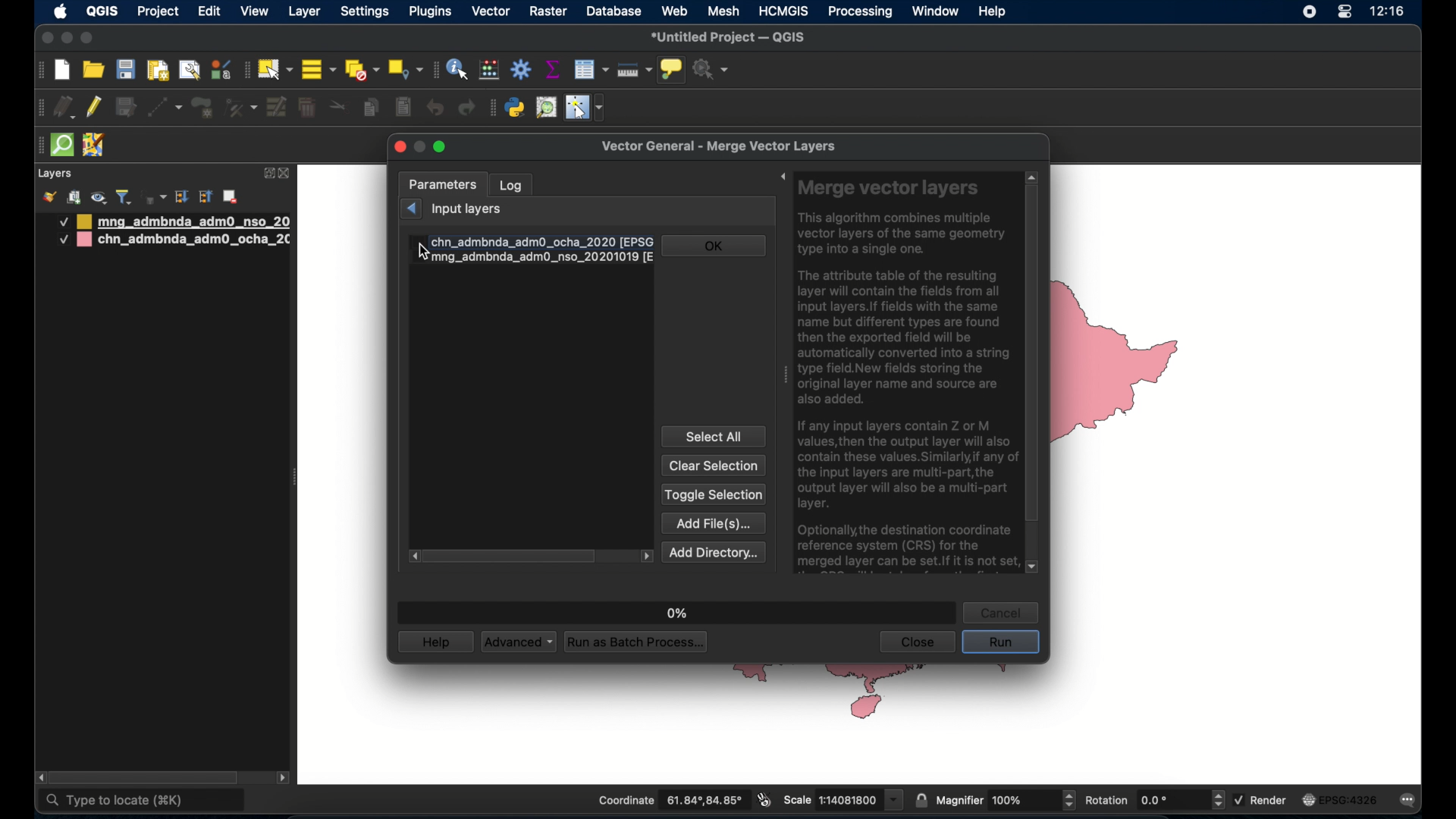  I want to click on 0%, so click(674, 609).